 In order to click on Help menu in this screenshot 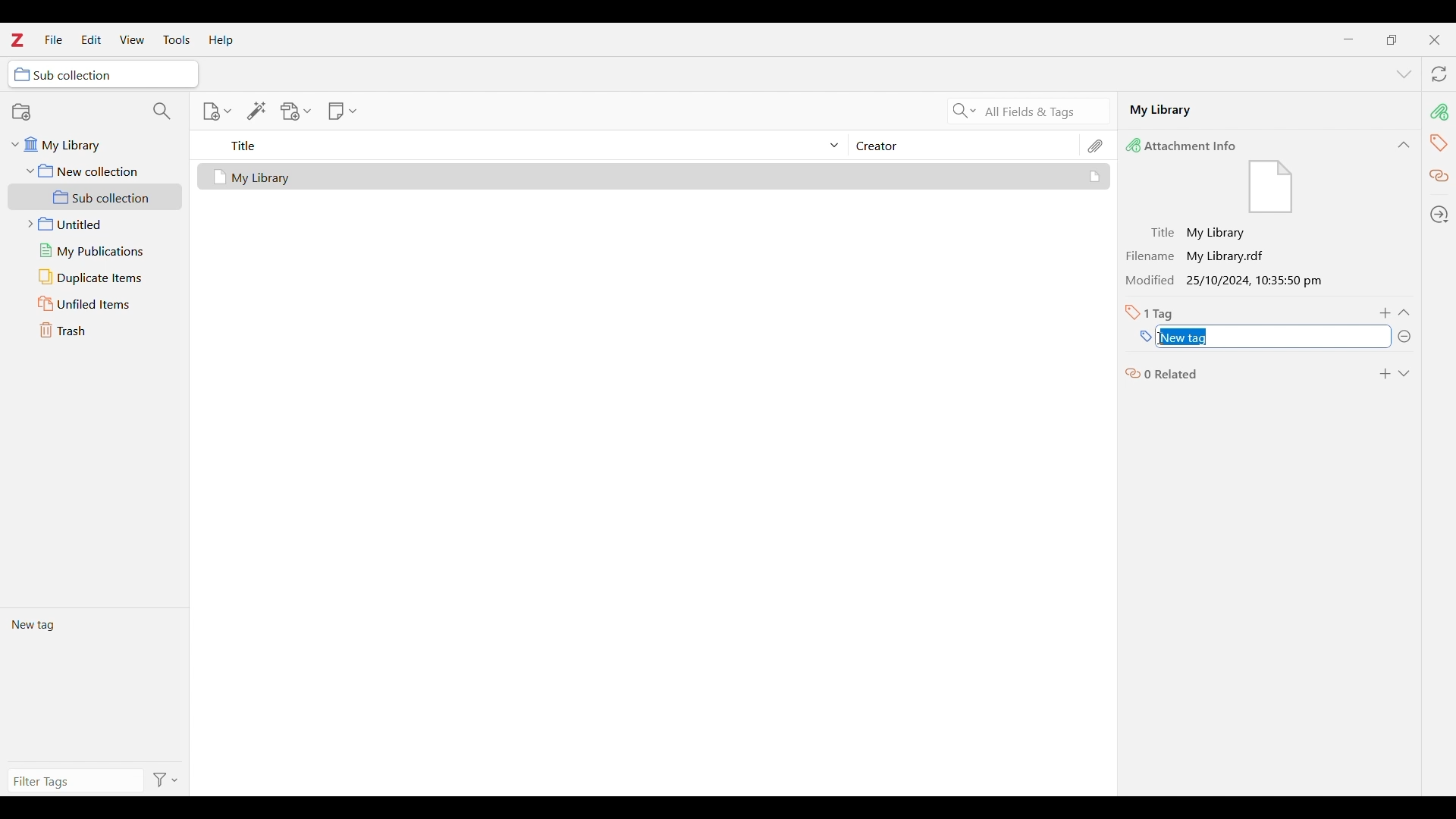, I will do `click(221, 40)`.